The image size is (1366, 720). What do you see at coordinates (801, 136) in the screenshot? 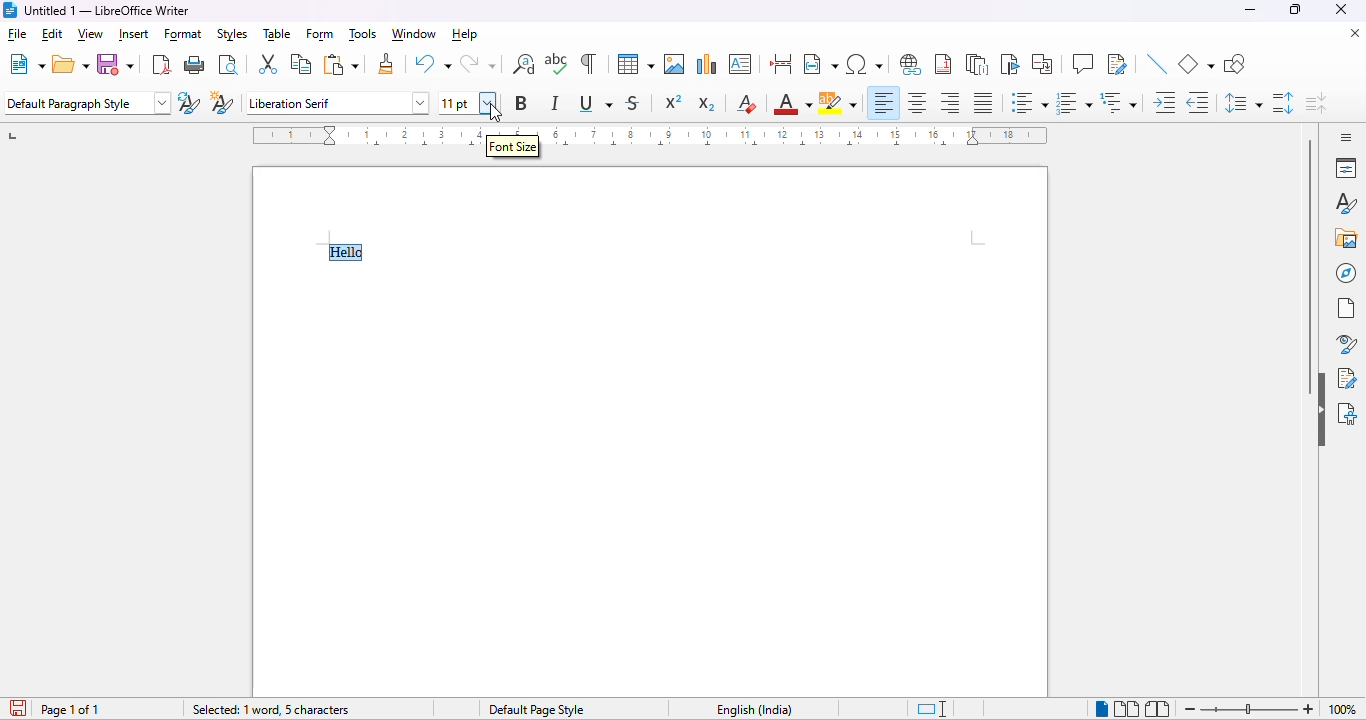
I see `ruler` at bounding box center [801, 136].